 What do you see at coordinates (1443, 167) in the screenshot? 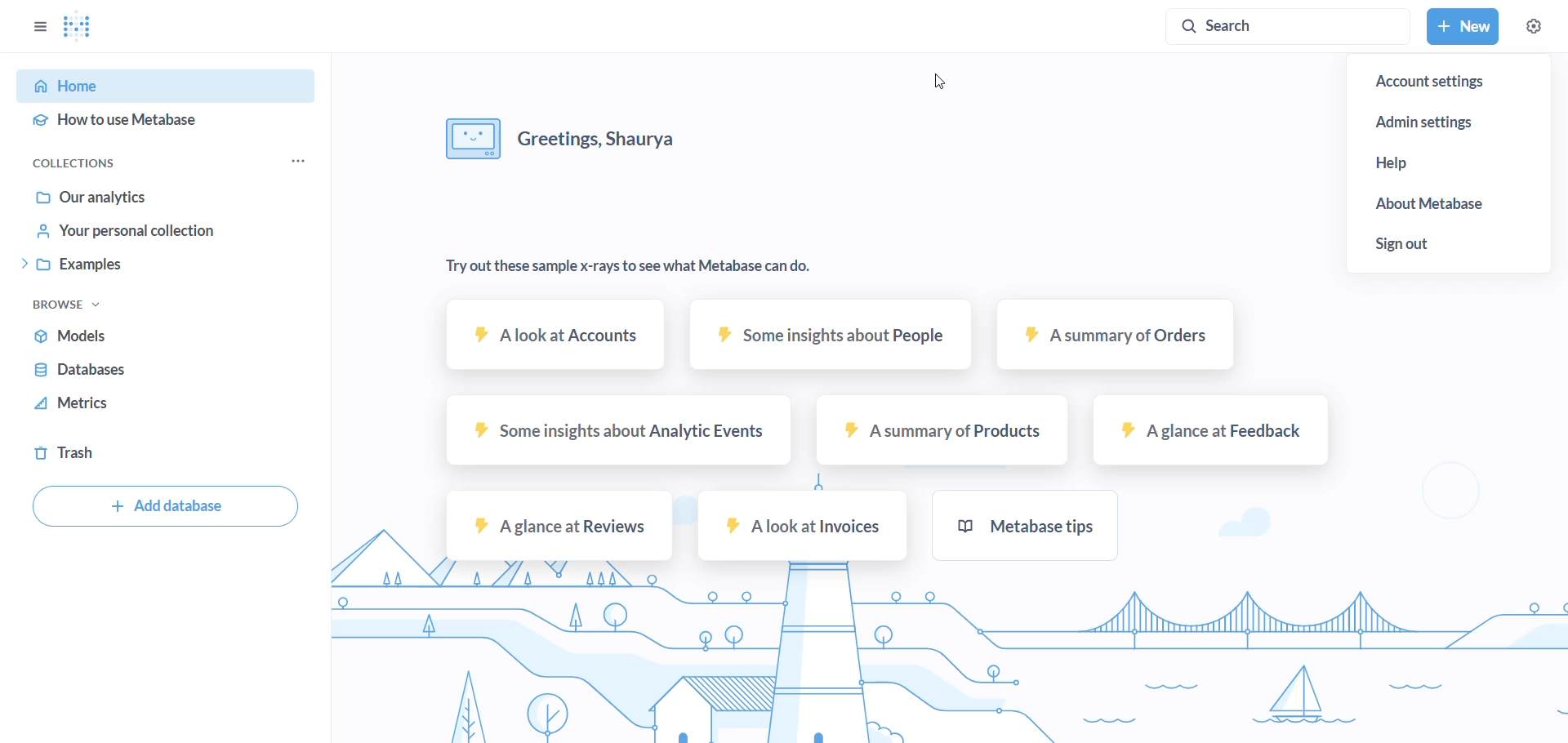
I see `help ` at bounding box center [1443, 167].